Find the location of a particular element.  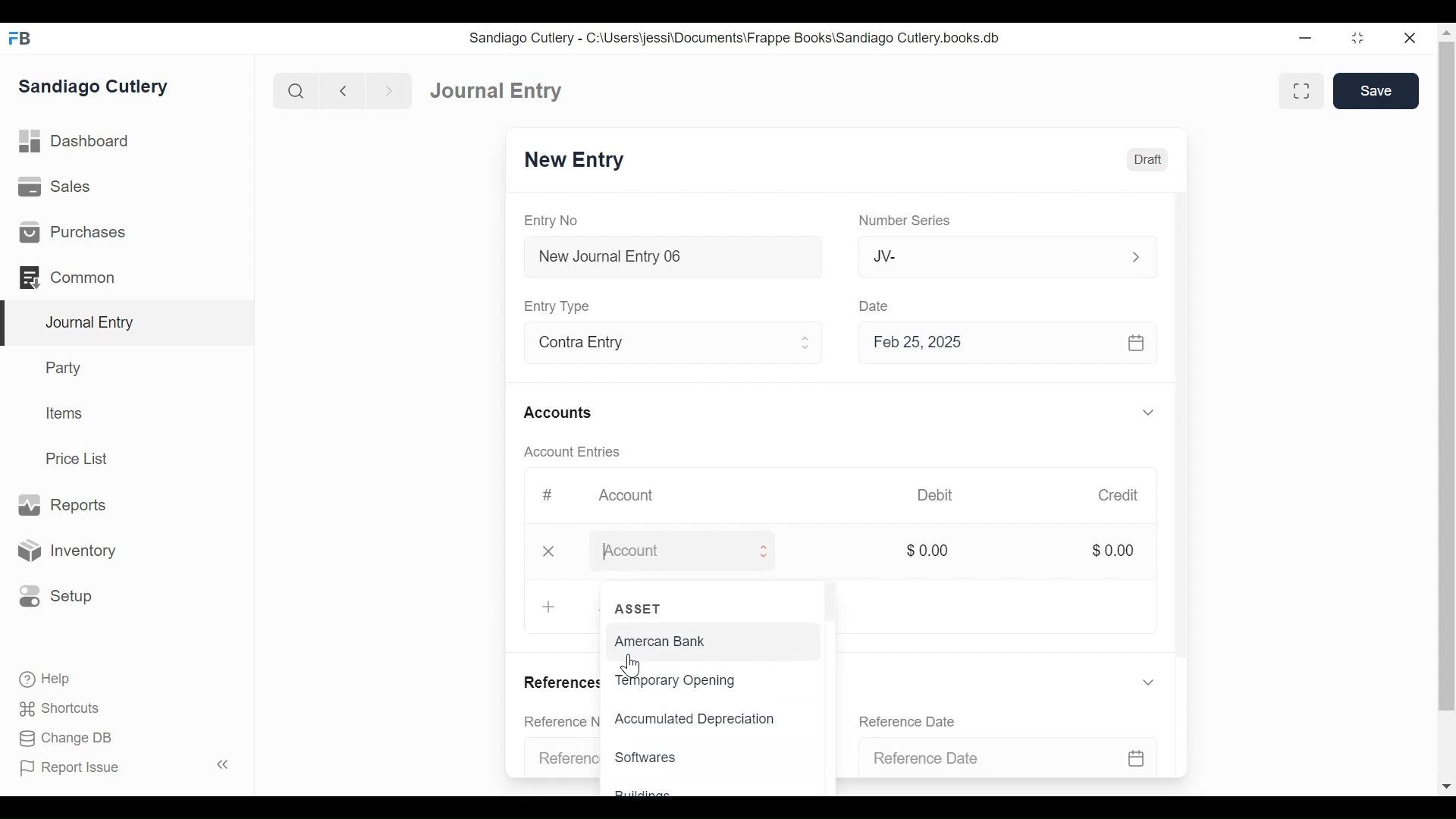

New Entry is located at coordinates (573, 158).